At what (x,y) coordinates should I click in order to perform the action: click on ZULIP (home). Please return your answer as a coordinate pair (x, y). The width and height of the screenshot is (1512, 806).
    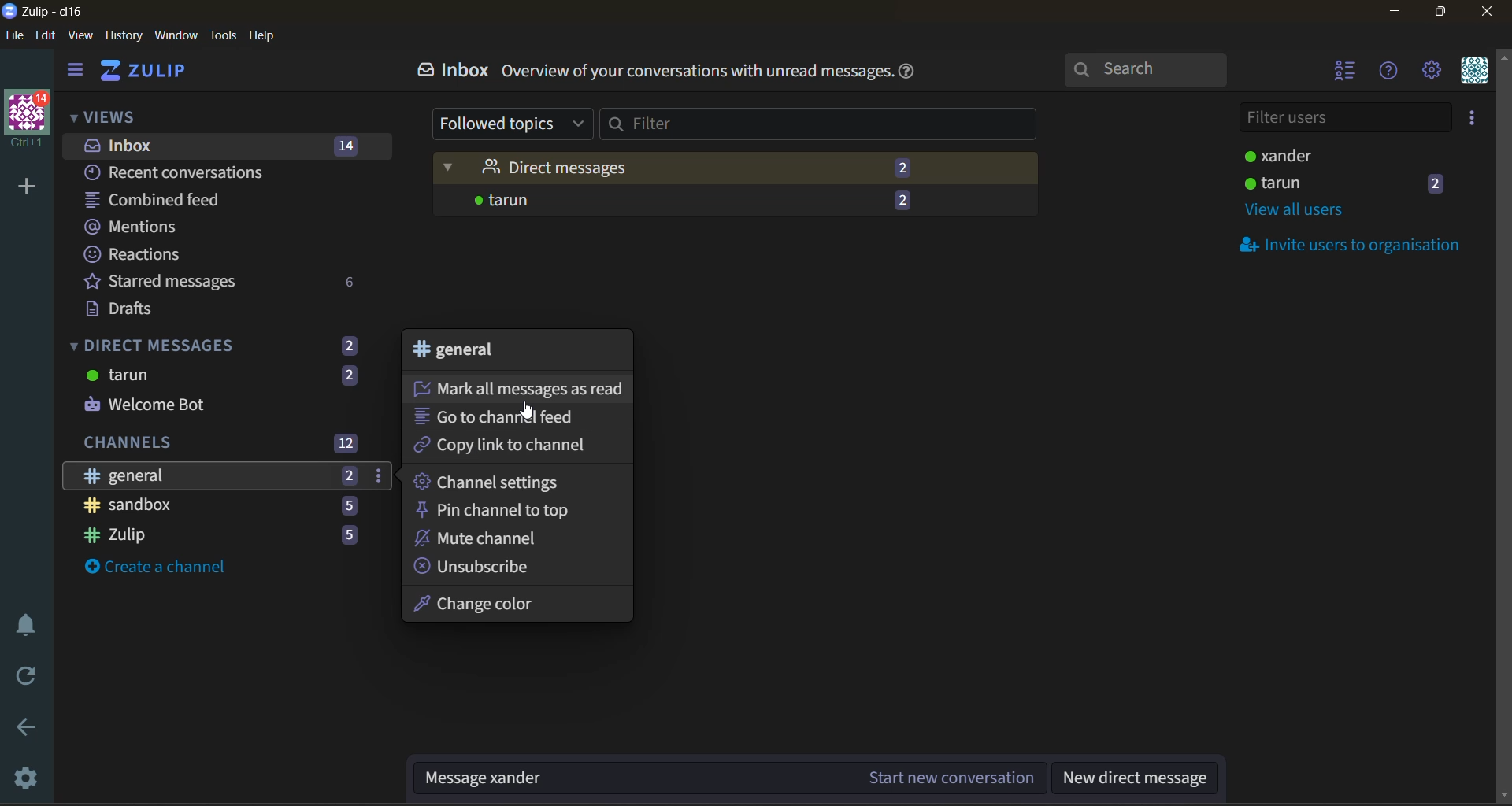
    Looking at the image, I should click on (144, 72).